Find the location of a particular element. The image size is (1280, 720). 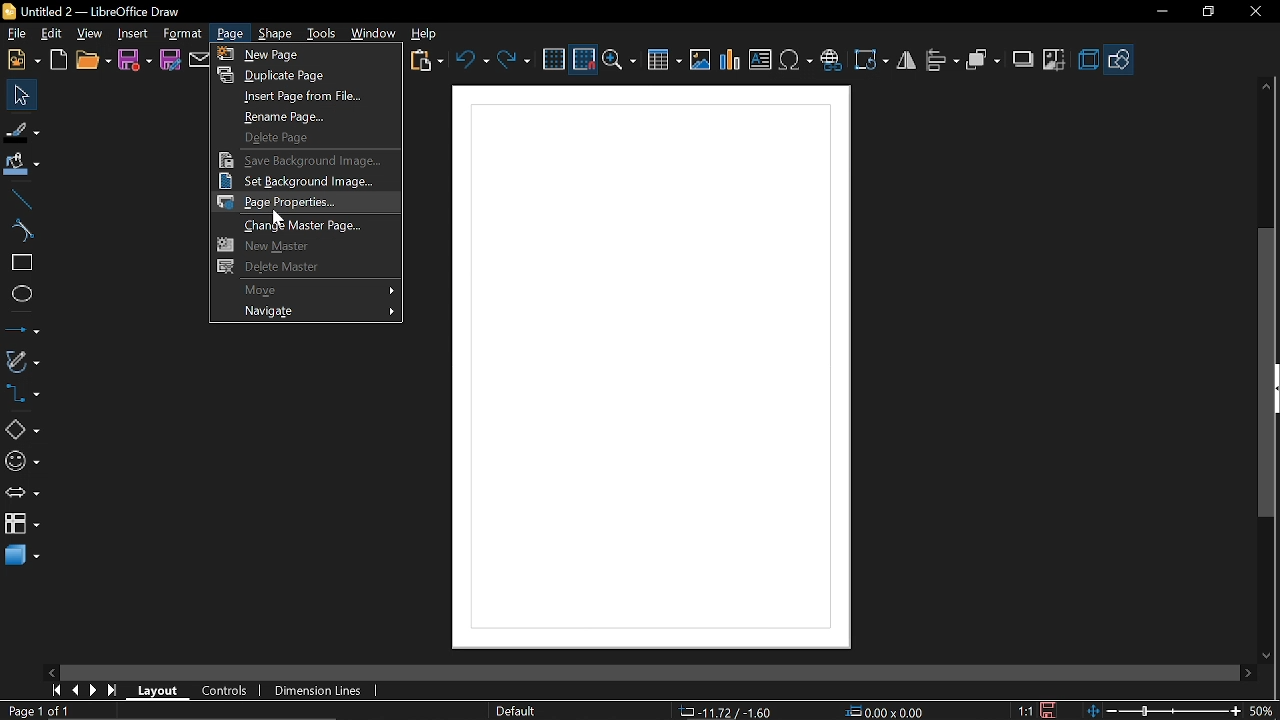

Duplicate page is located at coordinates (307, 74).